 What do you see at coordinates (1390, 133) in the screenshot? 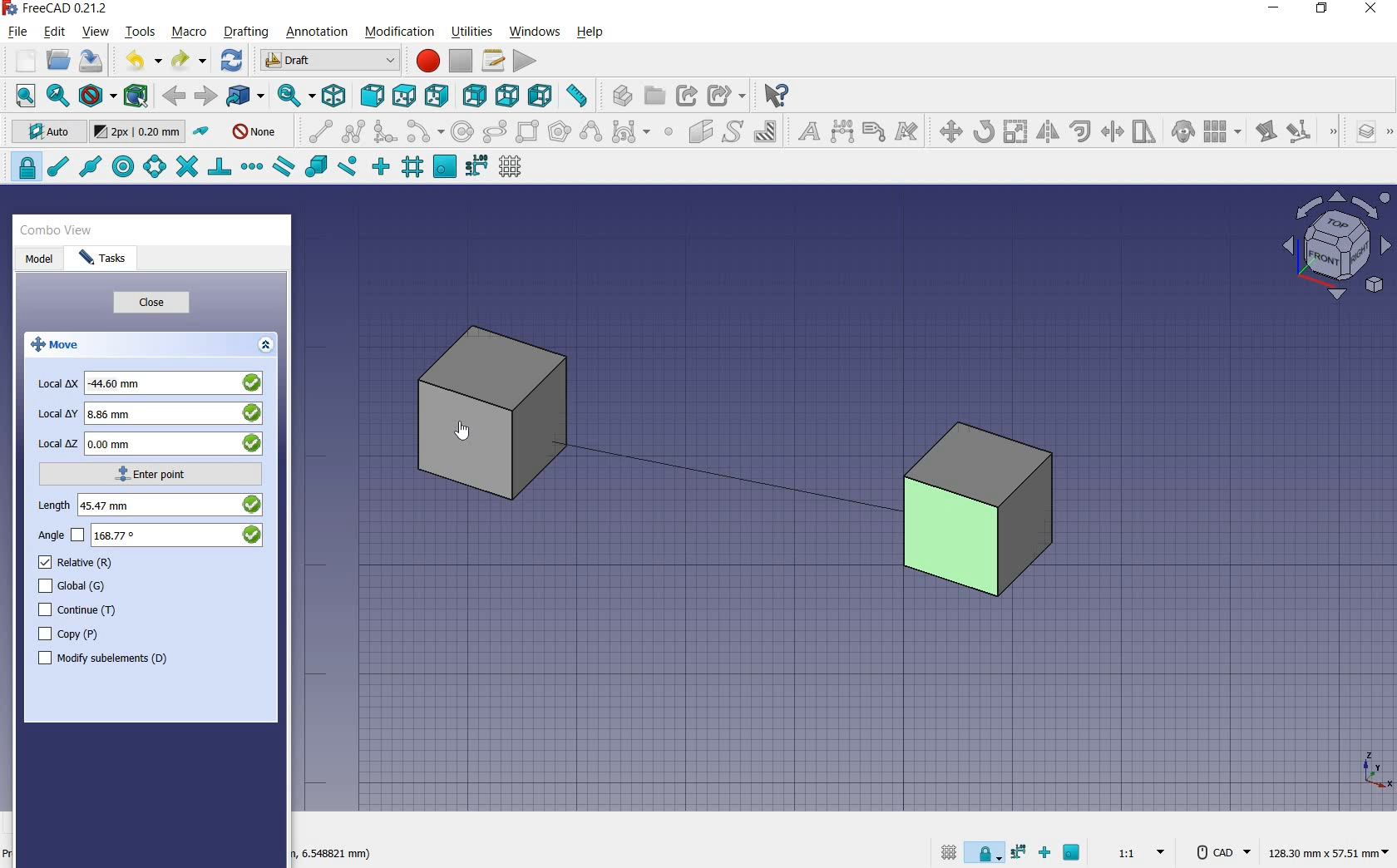
I see `draft utility tools` at bounding box center [1390, 133].